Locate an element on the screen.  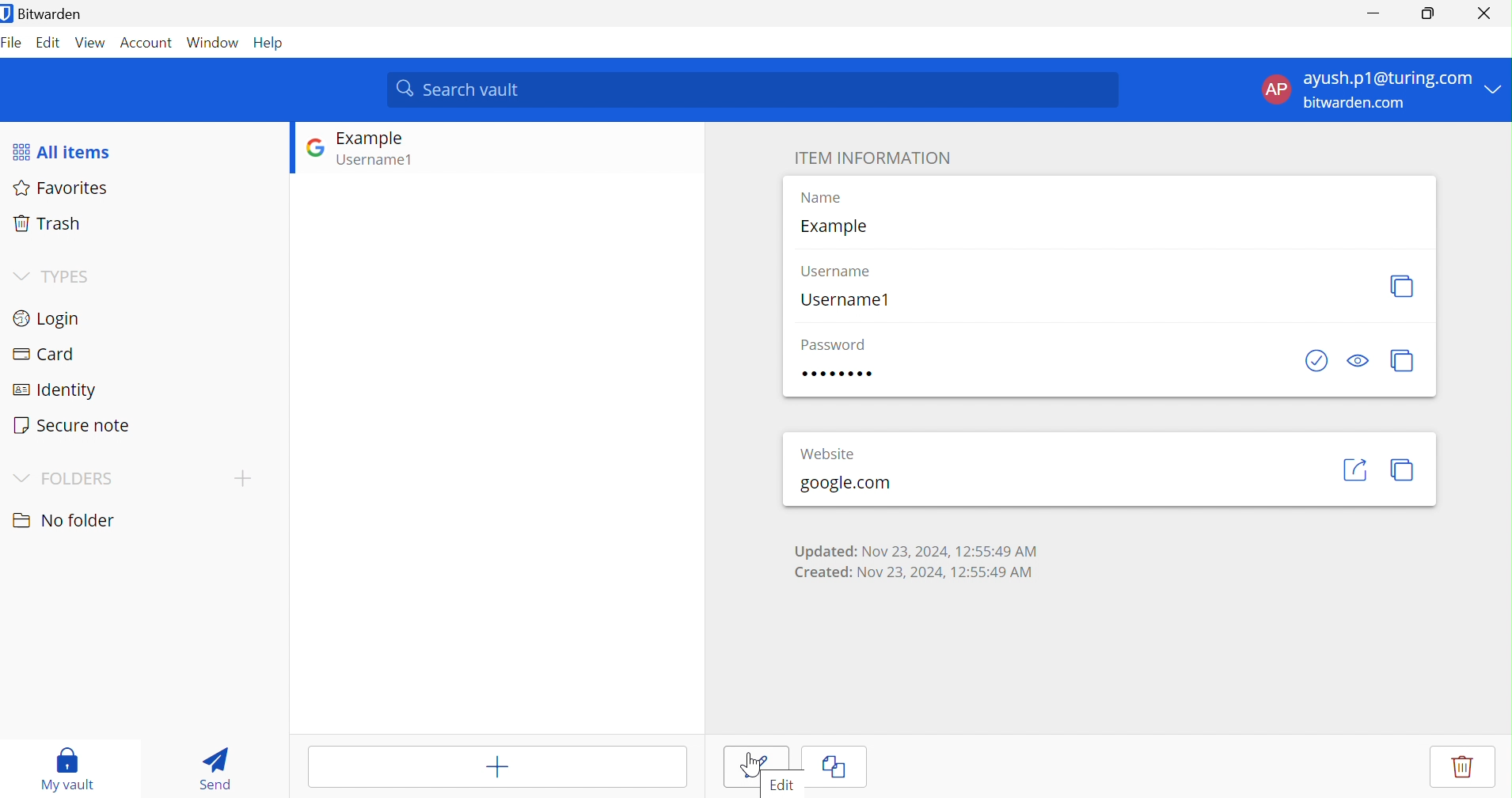
My vault is located at coordinates (69, 767).